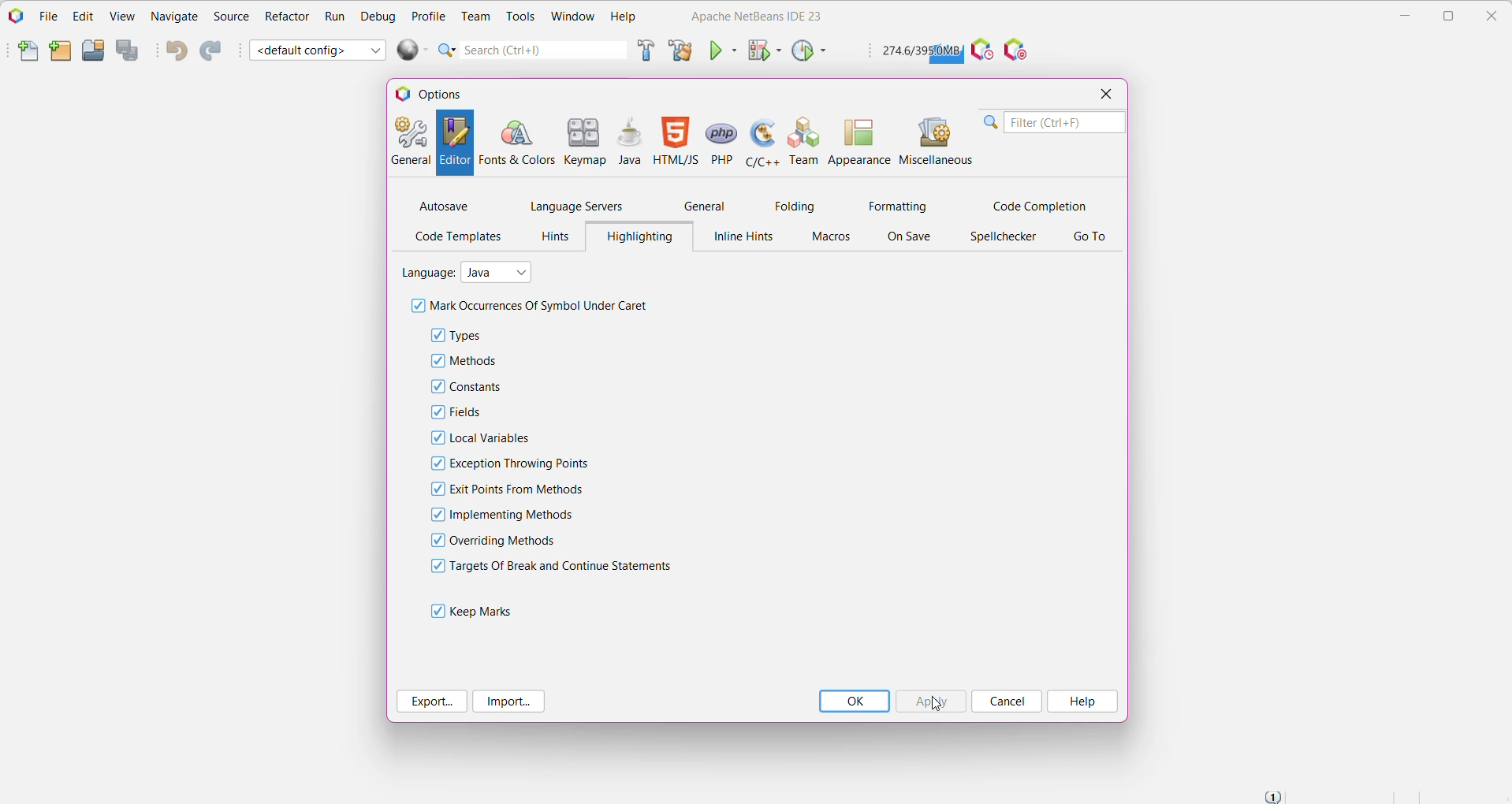  Describe the element at coordinates (435, 437) in the screenshot. I see `checkbox` at that location.